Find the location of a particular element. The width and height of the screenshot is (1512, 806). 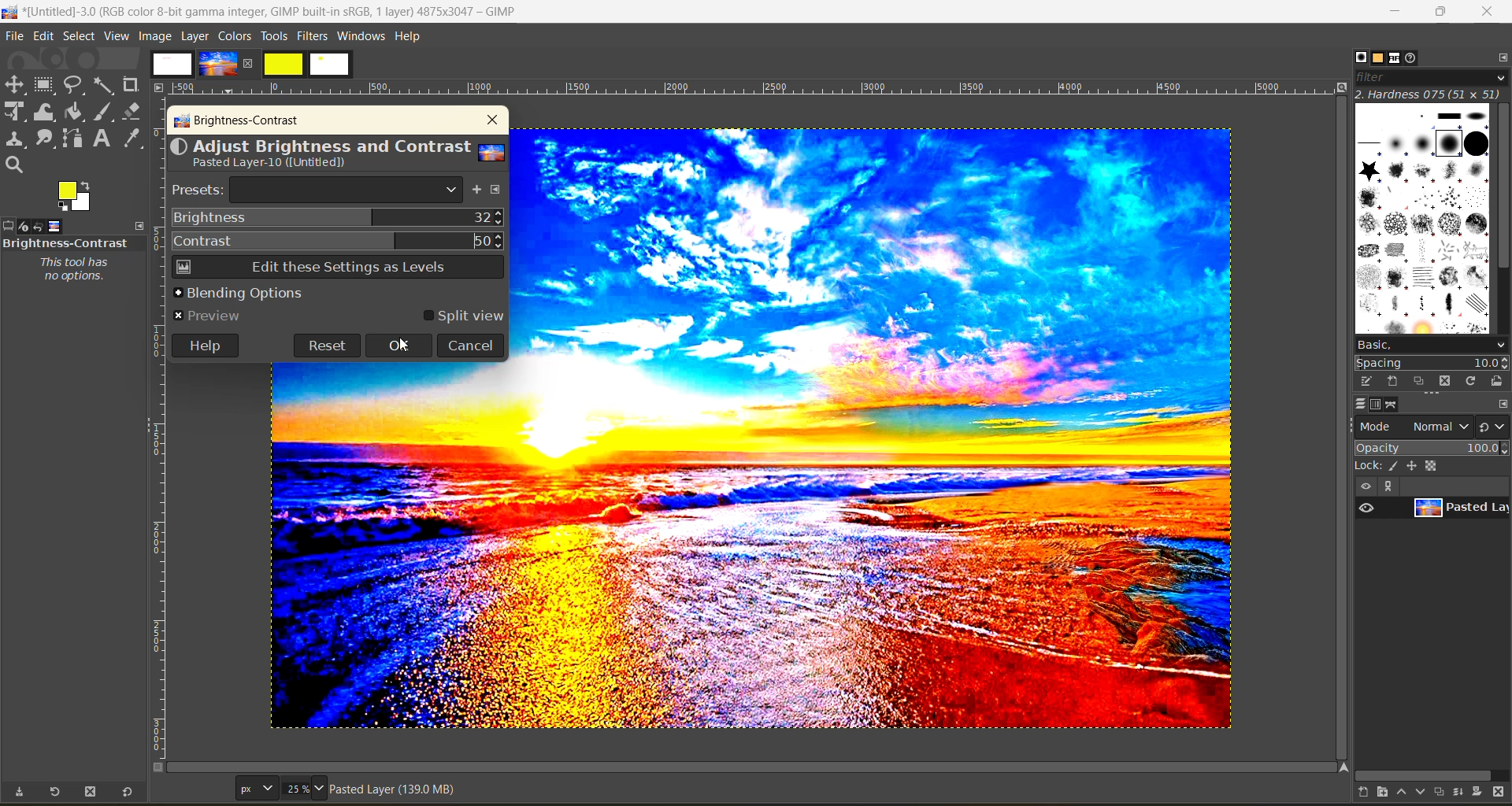

blending options is located at coordinates (238, 292).